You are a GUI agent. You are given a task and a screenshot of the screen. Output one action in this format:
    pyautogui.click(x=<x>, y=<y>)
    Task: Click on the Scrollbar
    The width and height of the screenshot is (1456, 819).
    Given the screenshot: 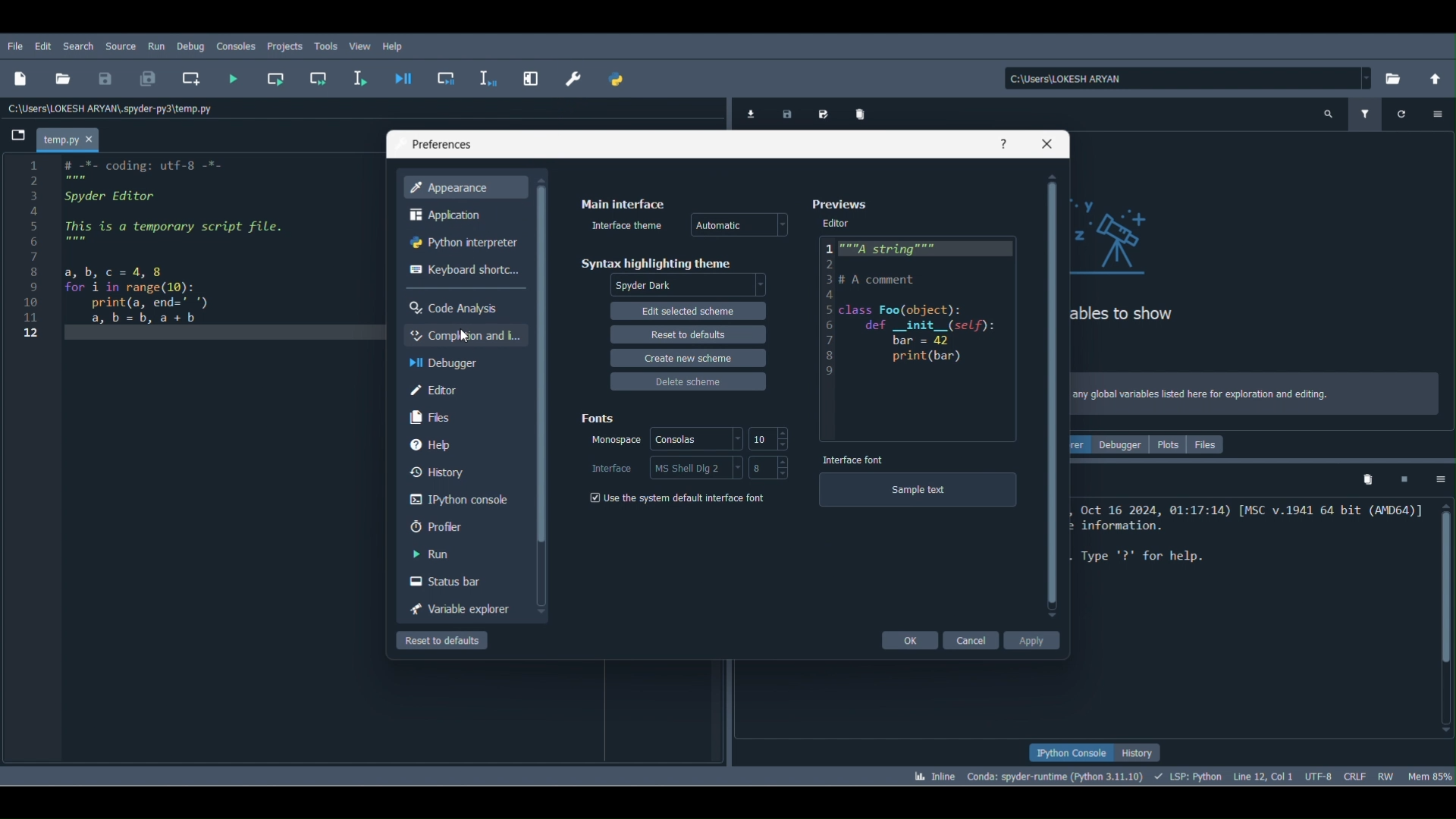 What is the action you would take?
    pyautogui.click(x=1048, y=394)
    